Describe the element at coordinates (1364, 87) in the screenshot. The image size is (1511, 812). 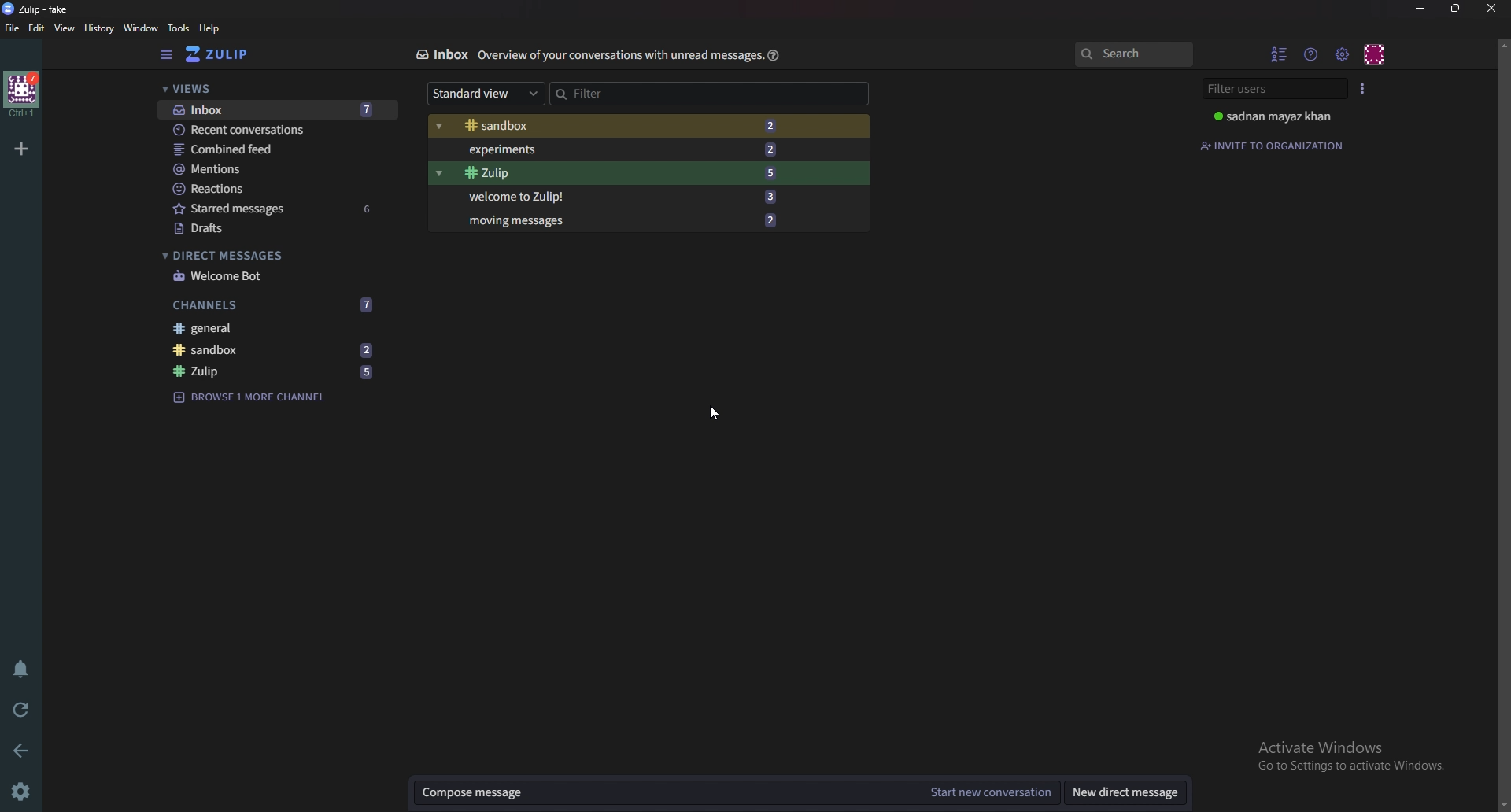
I see `User list style` at that location.